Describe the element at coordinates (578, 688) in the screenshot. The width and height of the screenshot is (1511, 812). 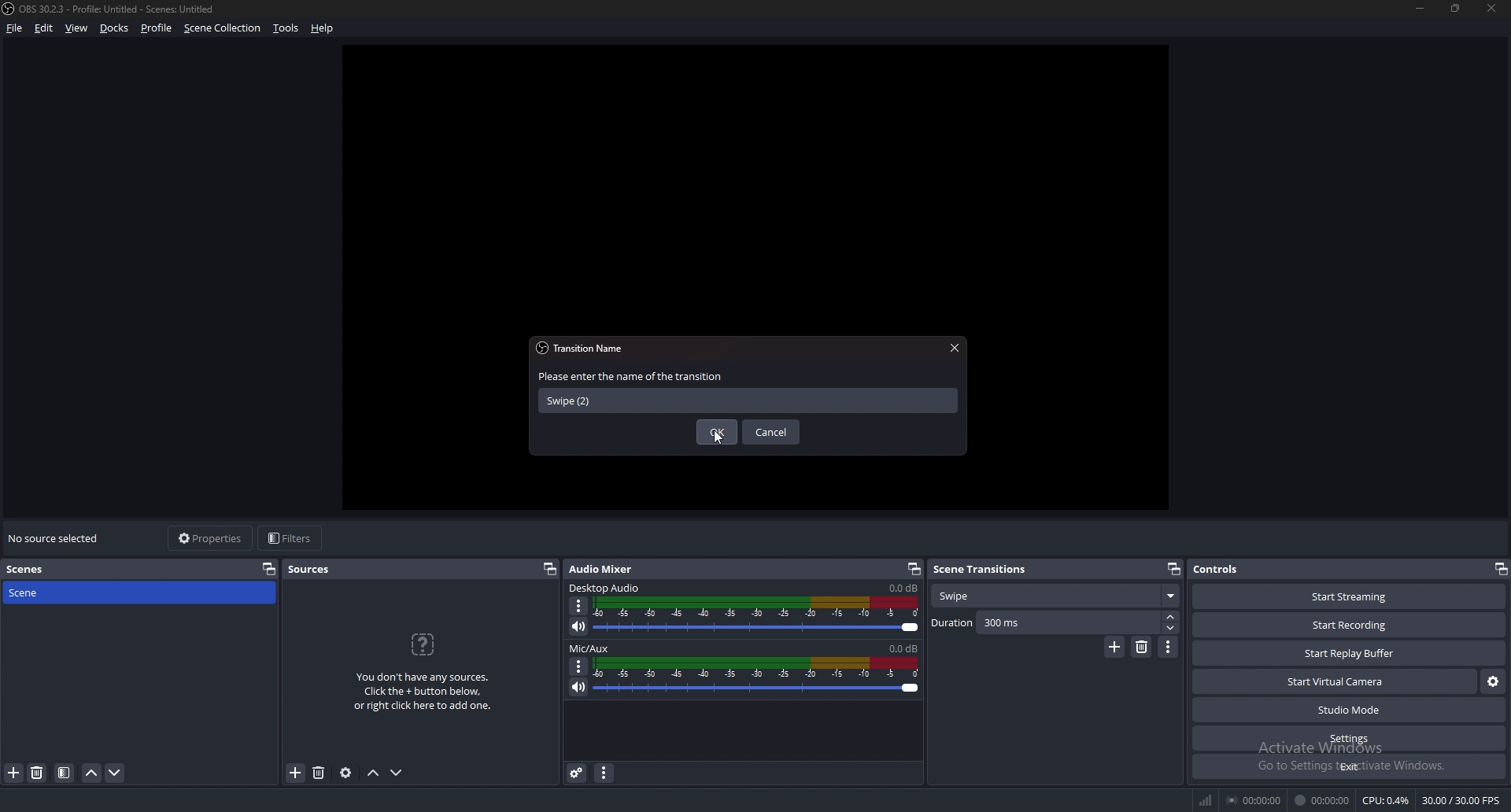
I see `mute` at that location.